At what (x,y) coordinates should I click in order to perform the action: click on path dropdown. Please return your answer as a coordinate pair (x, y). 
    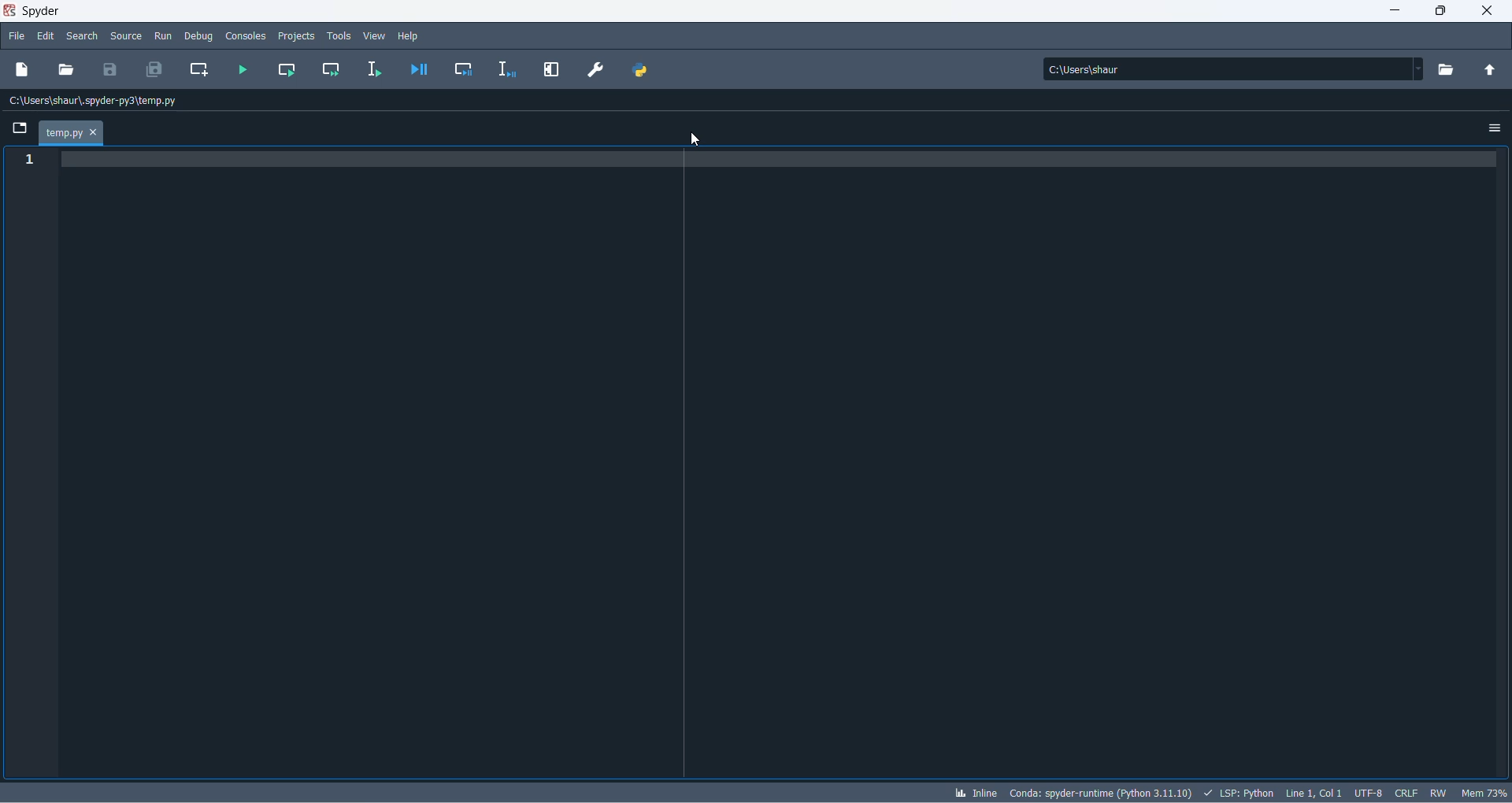
    Looking at the image, I should click on (1421, 71).